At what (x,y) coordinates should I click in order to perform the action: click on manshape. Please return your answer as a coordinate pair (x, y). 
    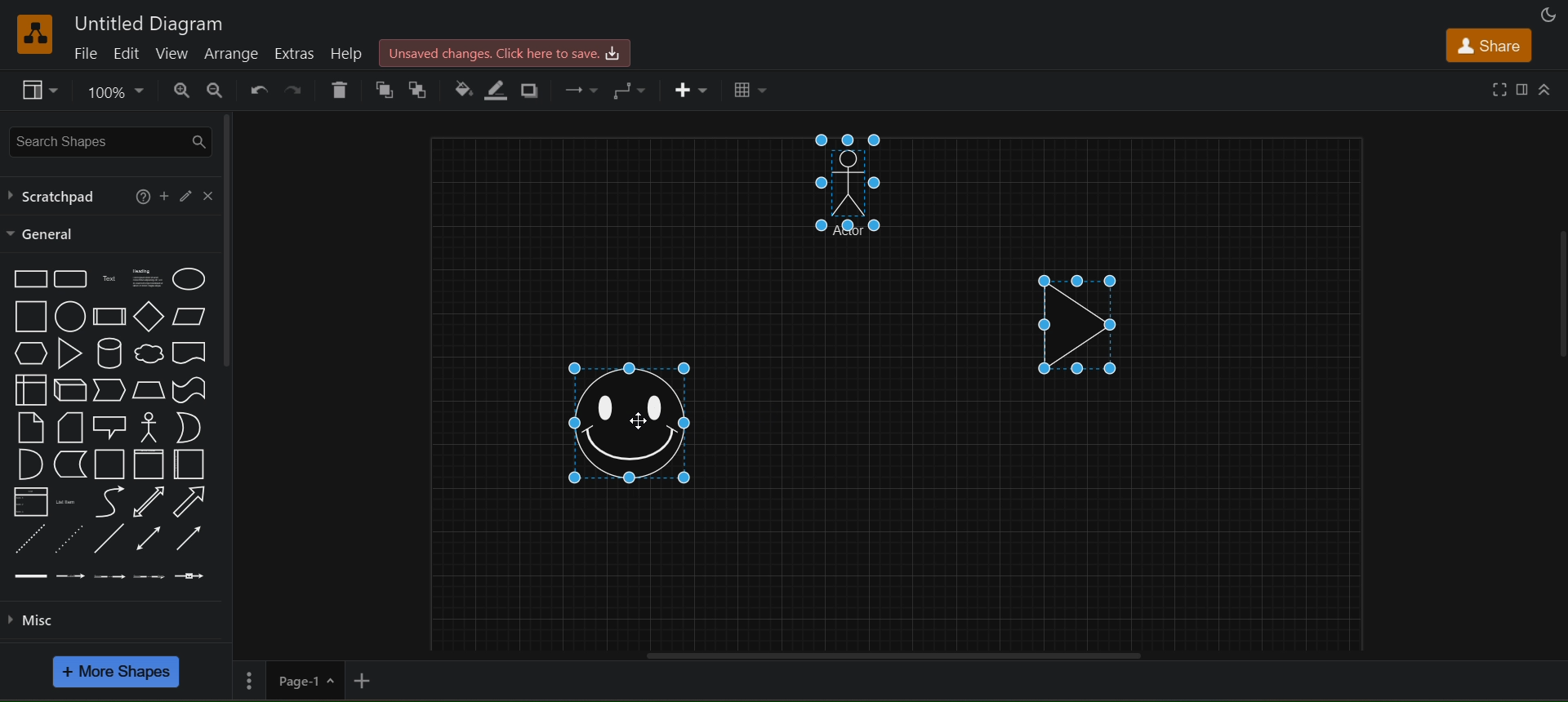
    Looking at the image, I should click on (857, 187).